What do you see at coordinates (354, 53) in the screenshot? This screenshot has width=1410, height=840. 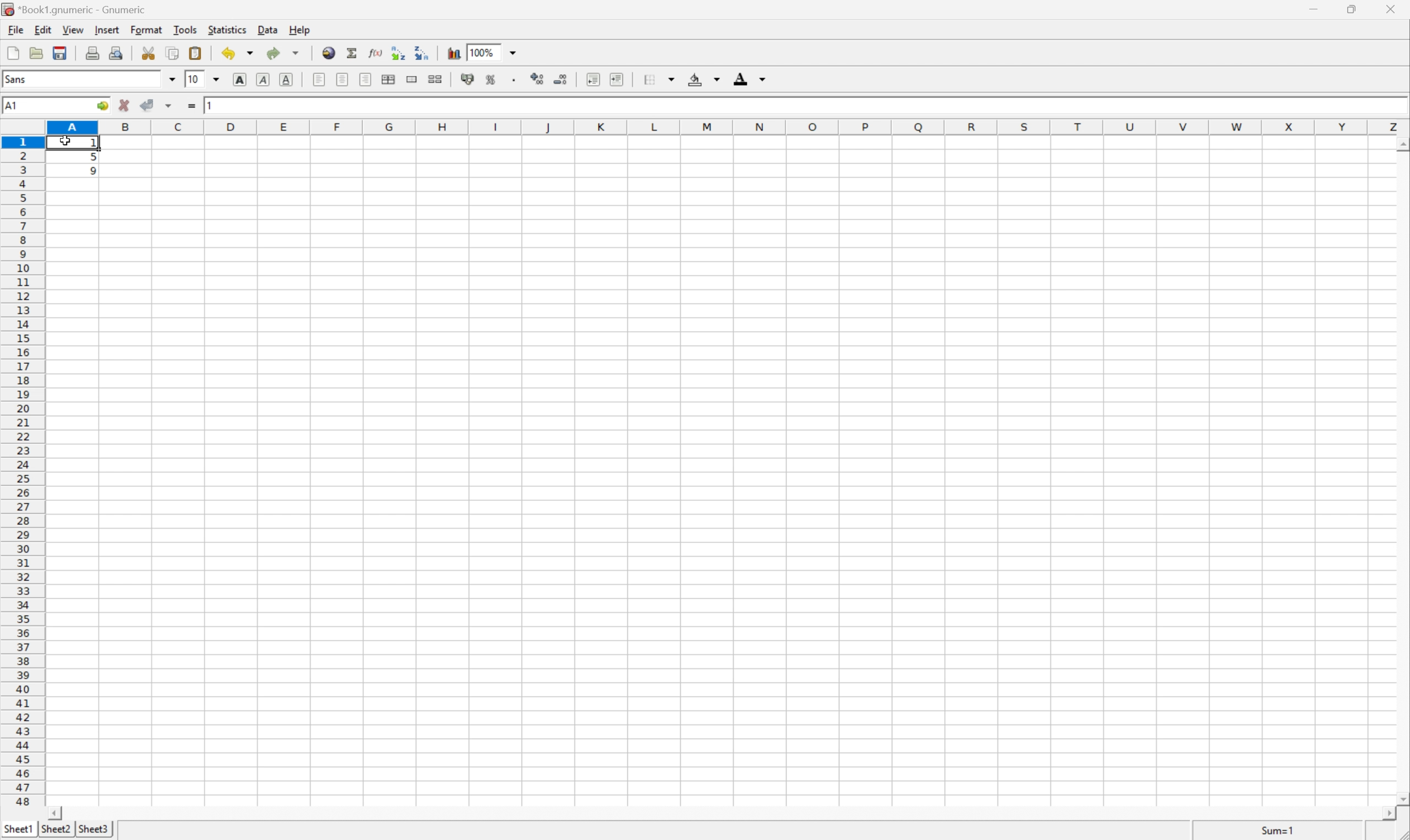 I see `sum in current cell` at bounding box center [354, 53].